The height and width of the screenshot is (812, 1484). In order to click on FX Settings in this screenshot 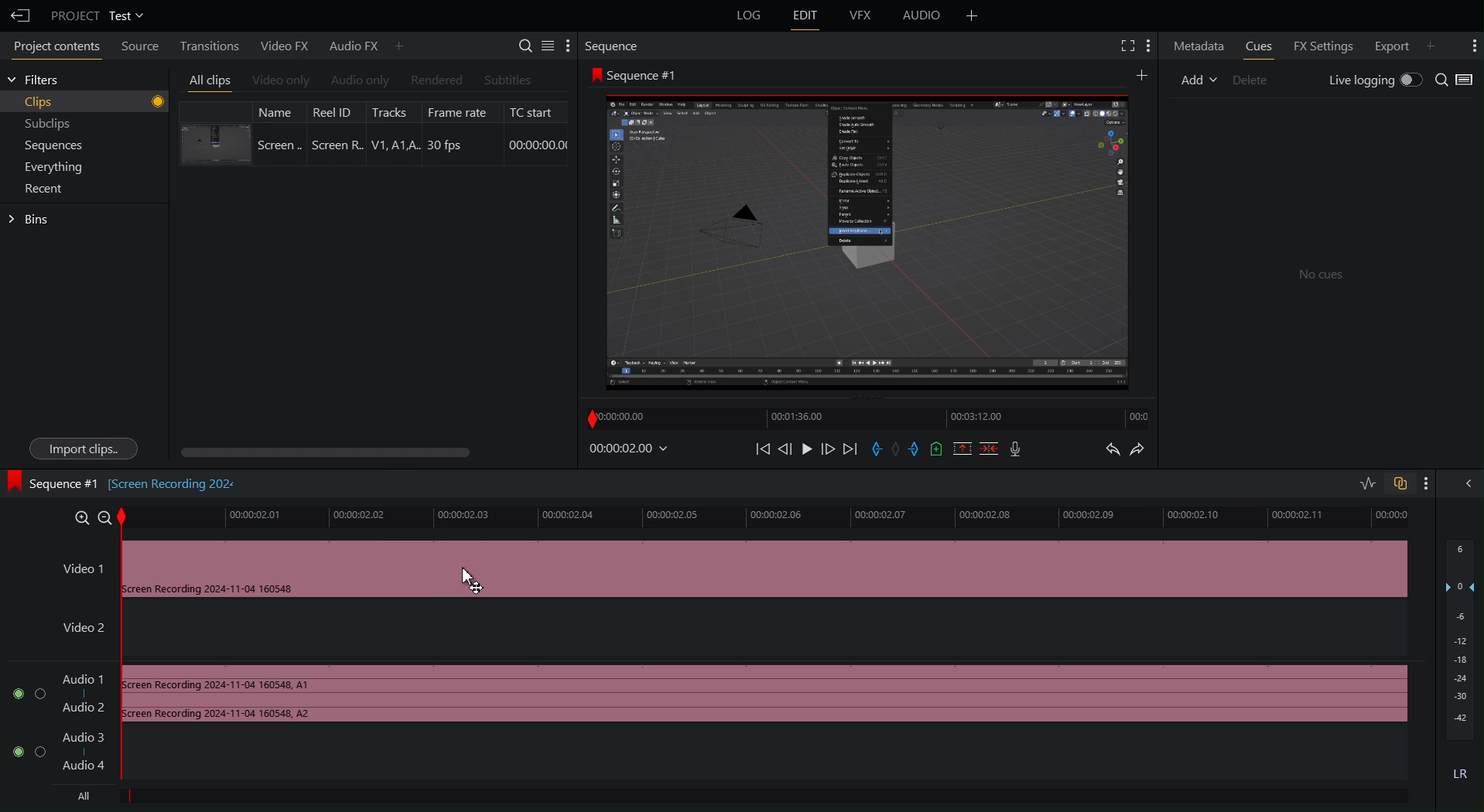, I will do `click(1322, 46)`.